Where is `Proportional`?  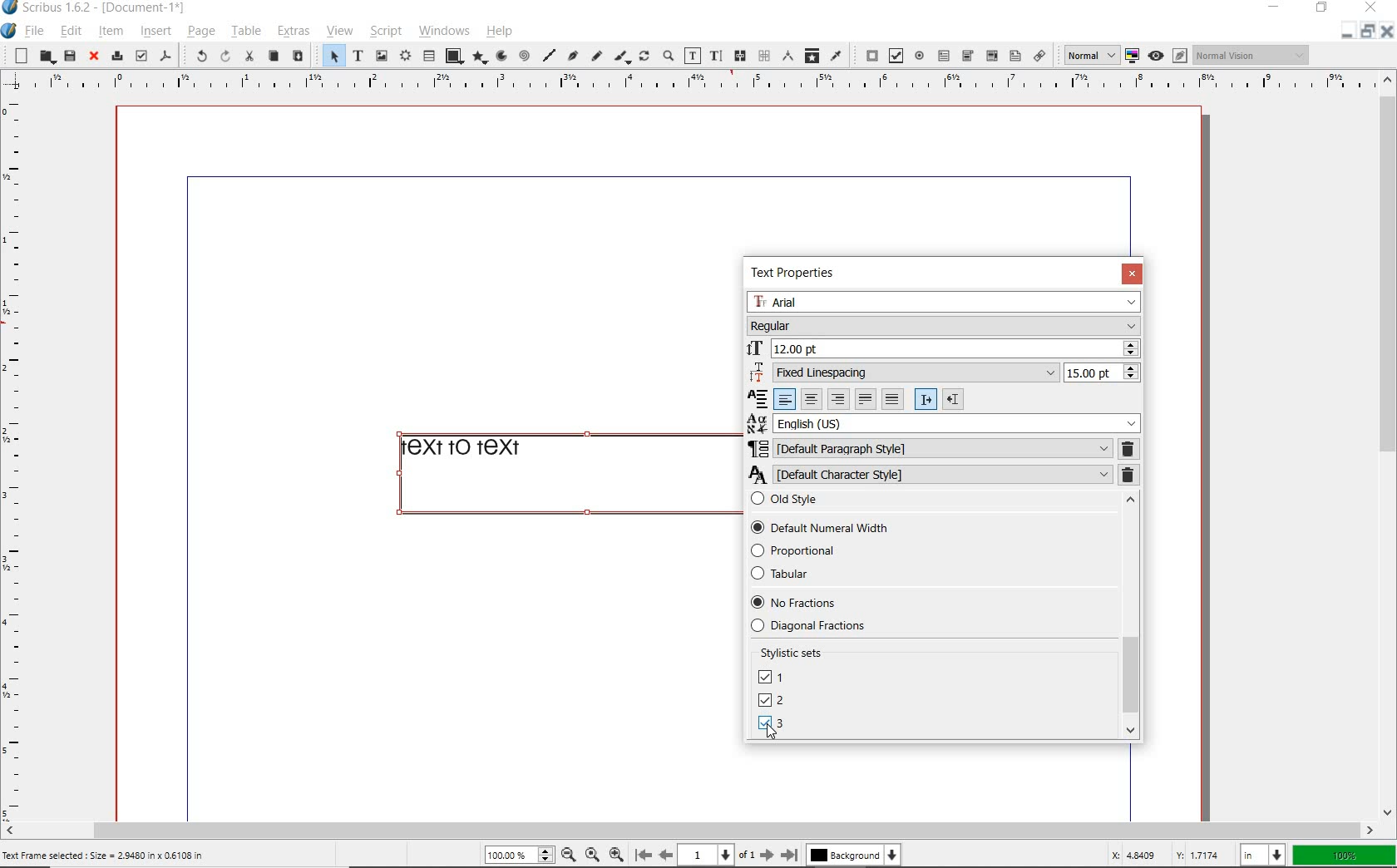 Proportional is located at coordinates (837, 550).